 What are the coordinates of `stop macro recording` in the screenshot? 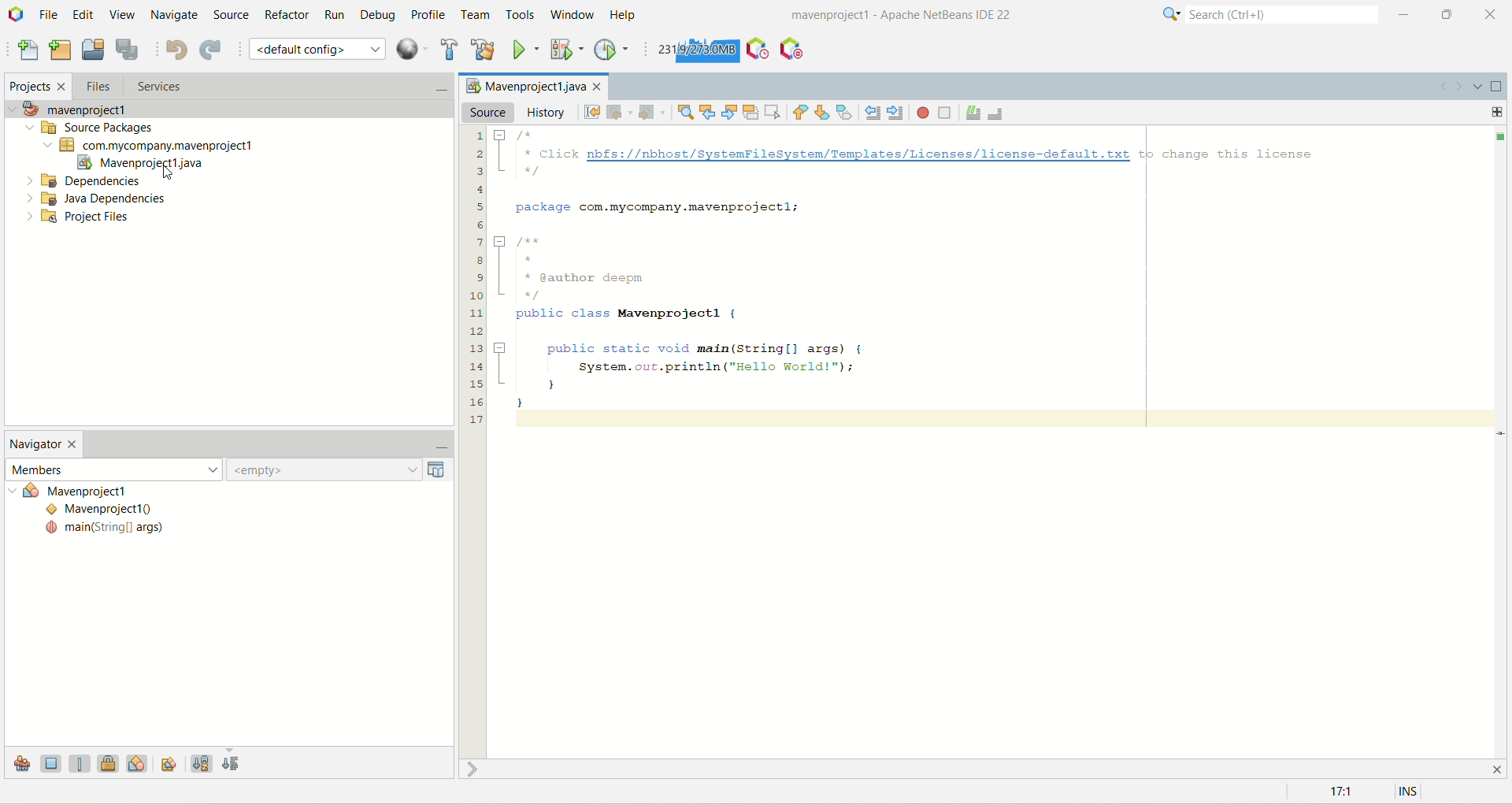 It's located at (945, 113).